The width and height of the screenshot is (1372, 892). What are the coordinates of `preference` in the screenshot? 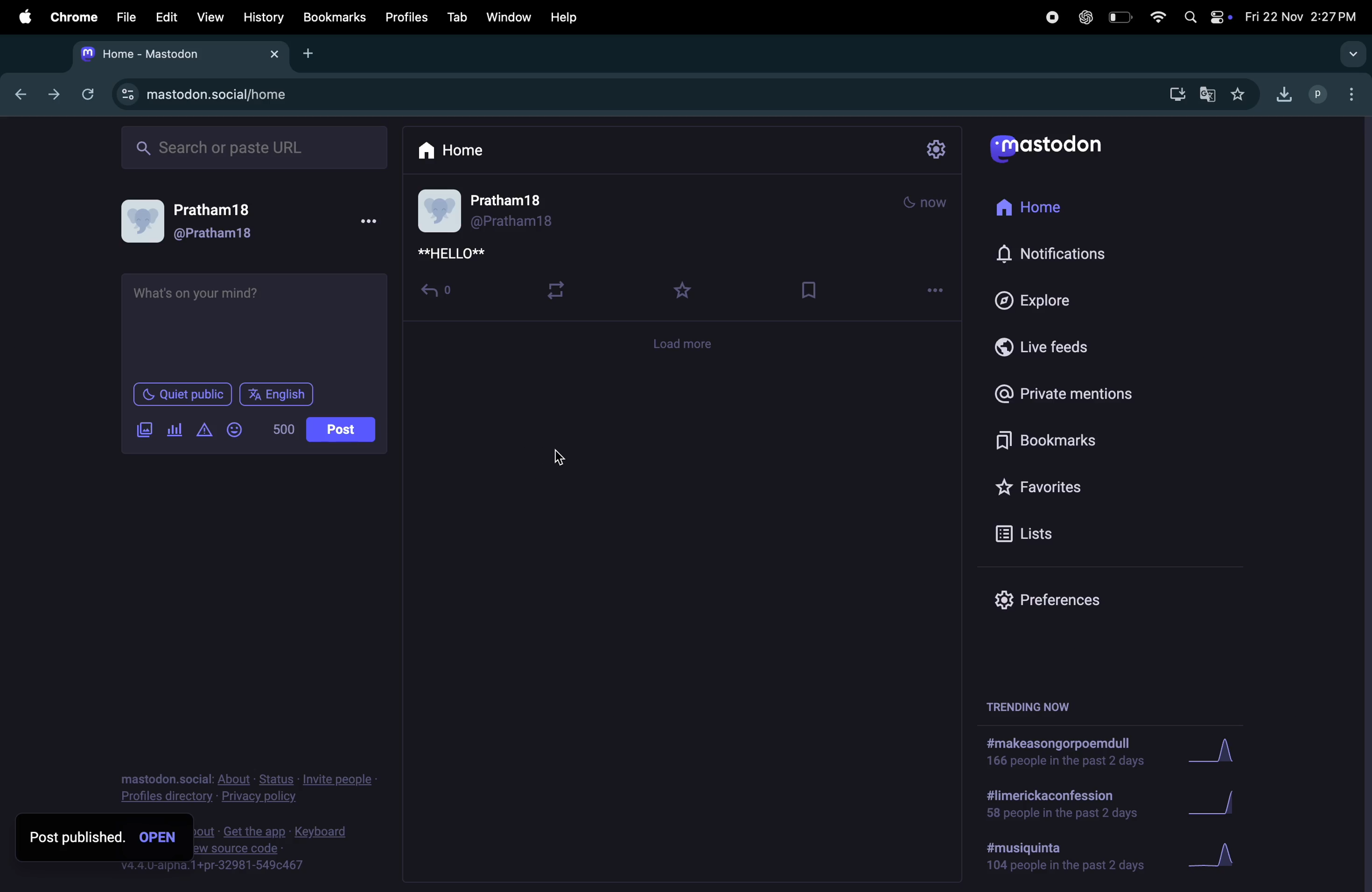 It's located at (1108, 594).